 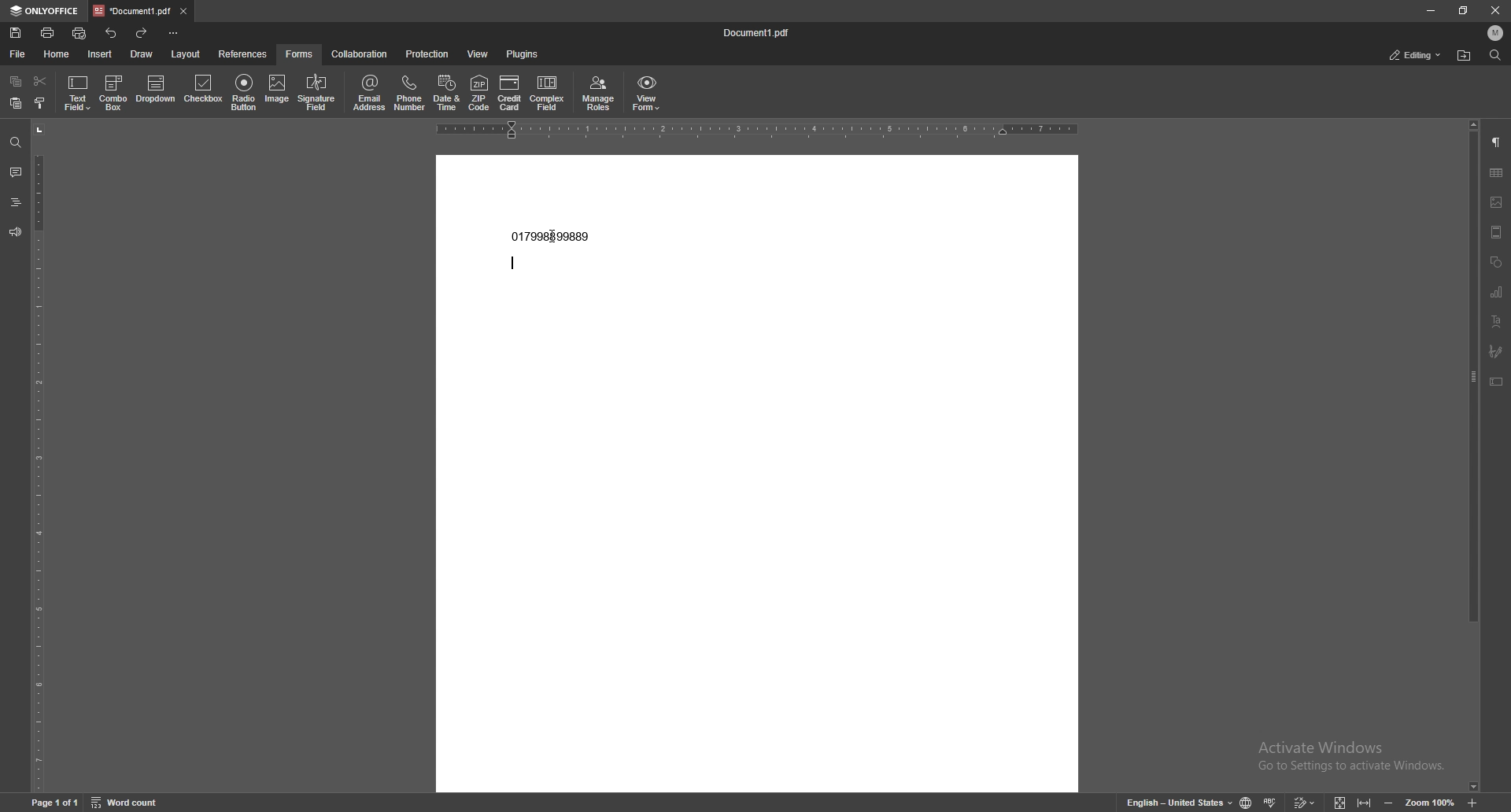 What do you see at coordinates (49, 32) in the screenshot?
I see `print` at bounding box center [49, 32].